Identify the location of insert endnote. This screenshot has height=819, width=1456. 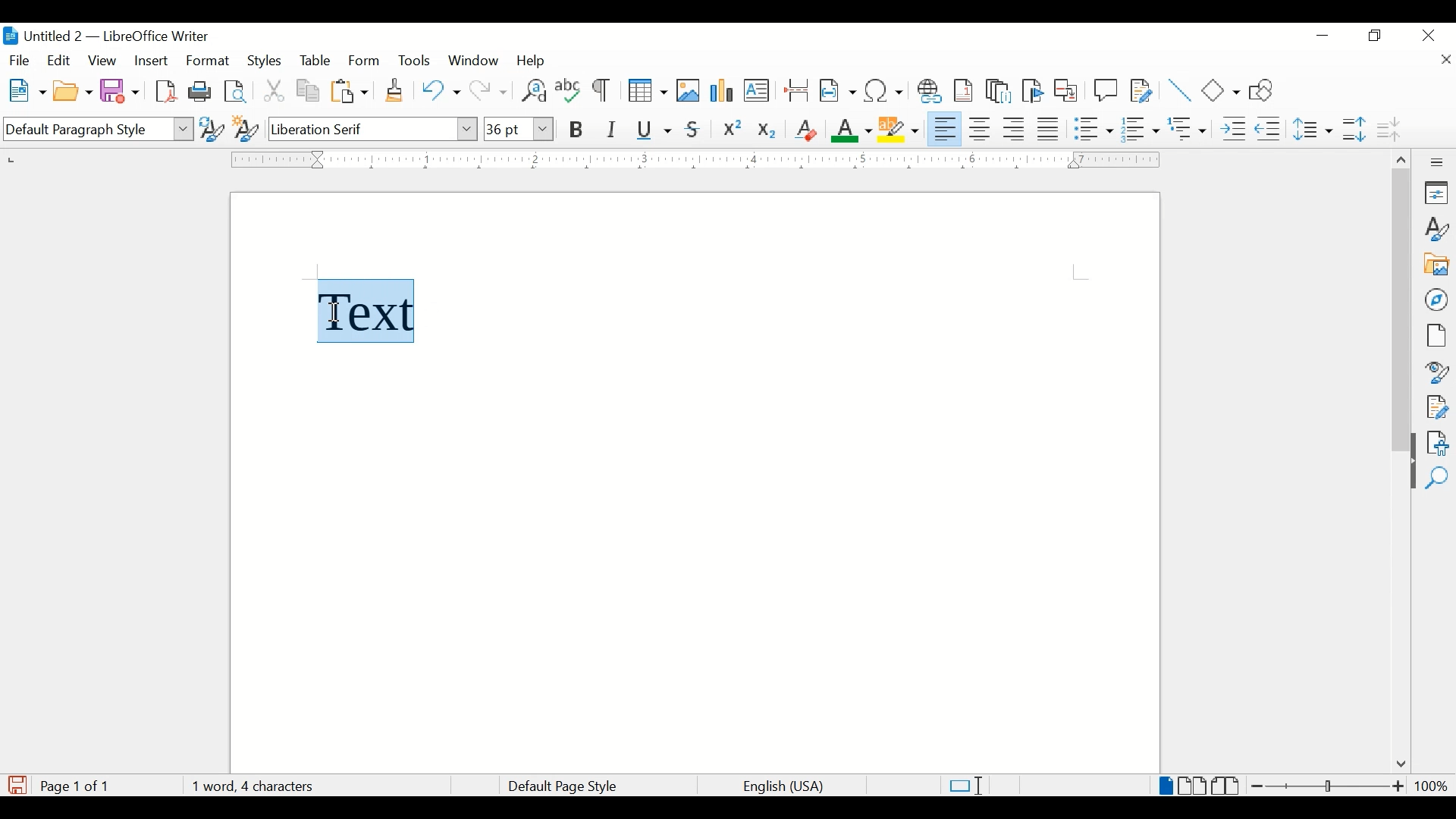
(999, 91).